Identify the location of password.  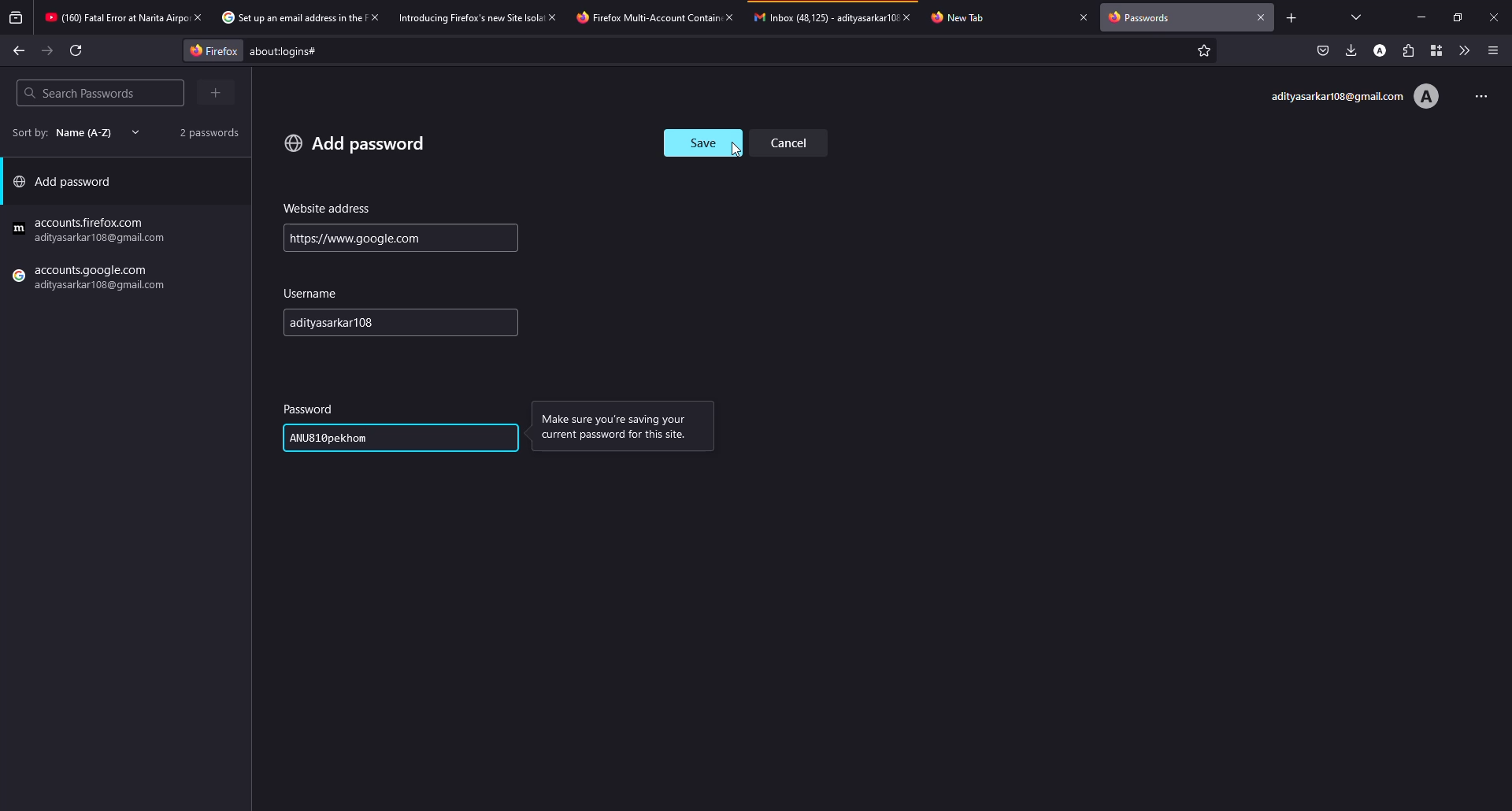
(333, 437).